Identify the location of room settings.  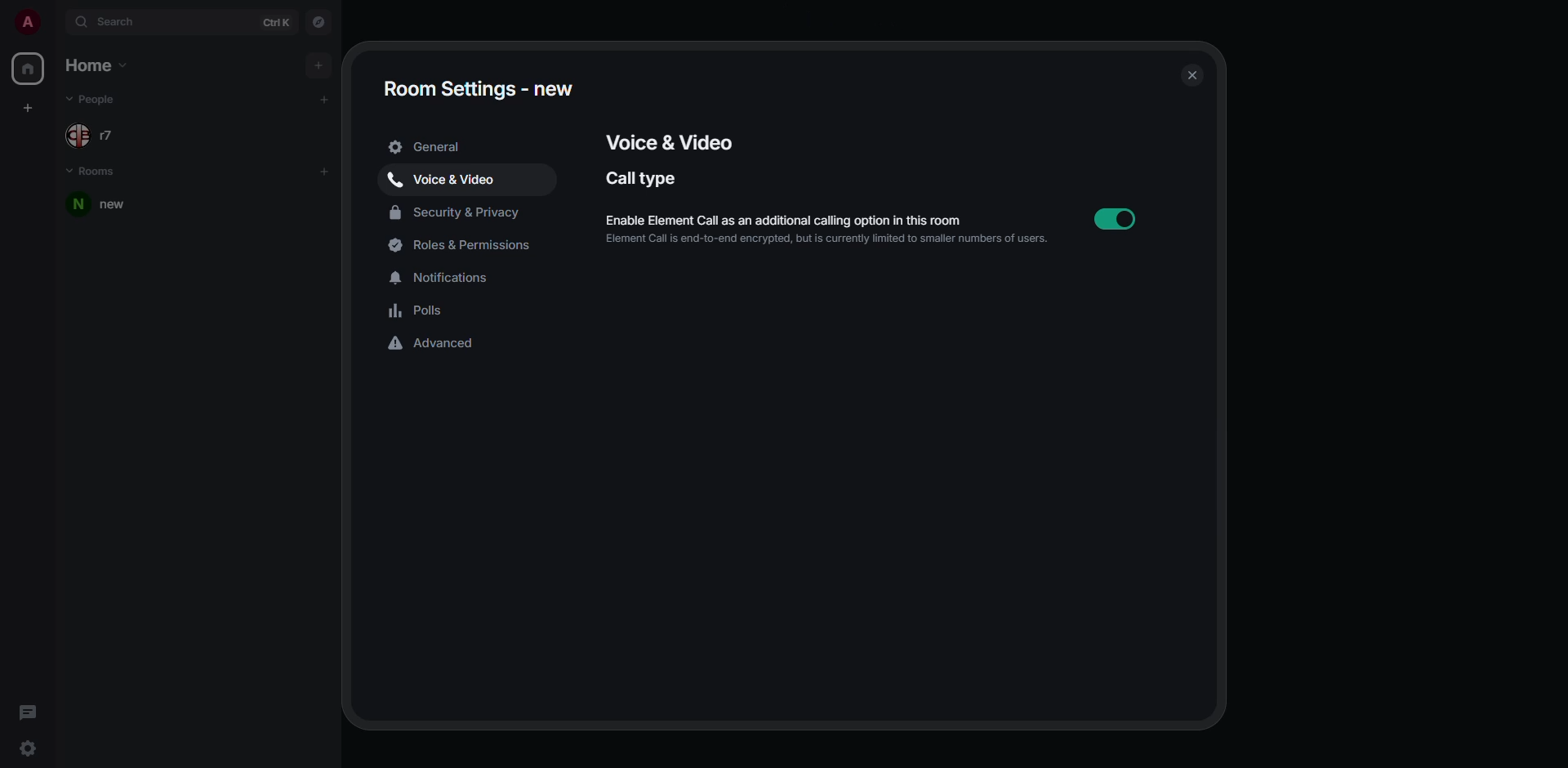
(476, 87).